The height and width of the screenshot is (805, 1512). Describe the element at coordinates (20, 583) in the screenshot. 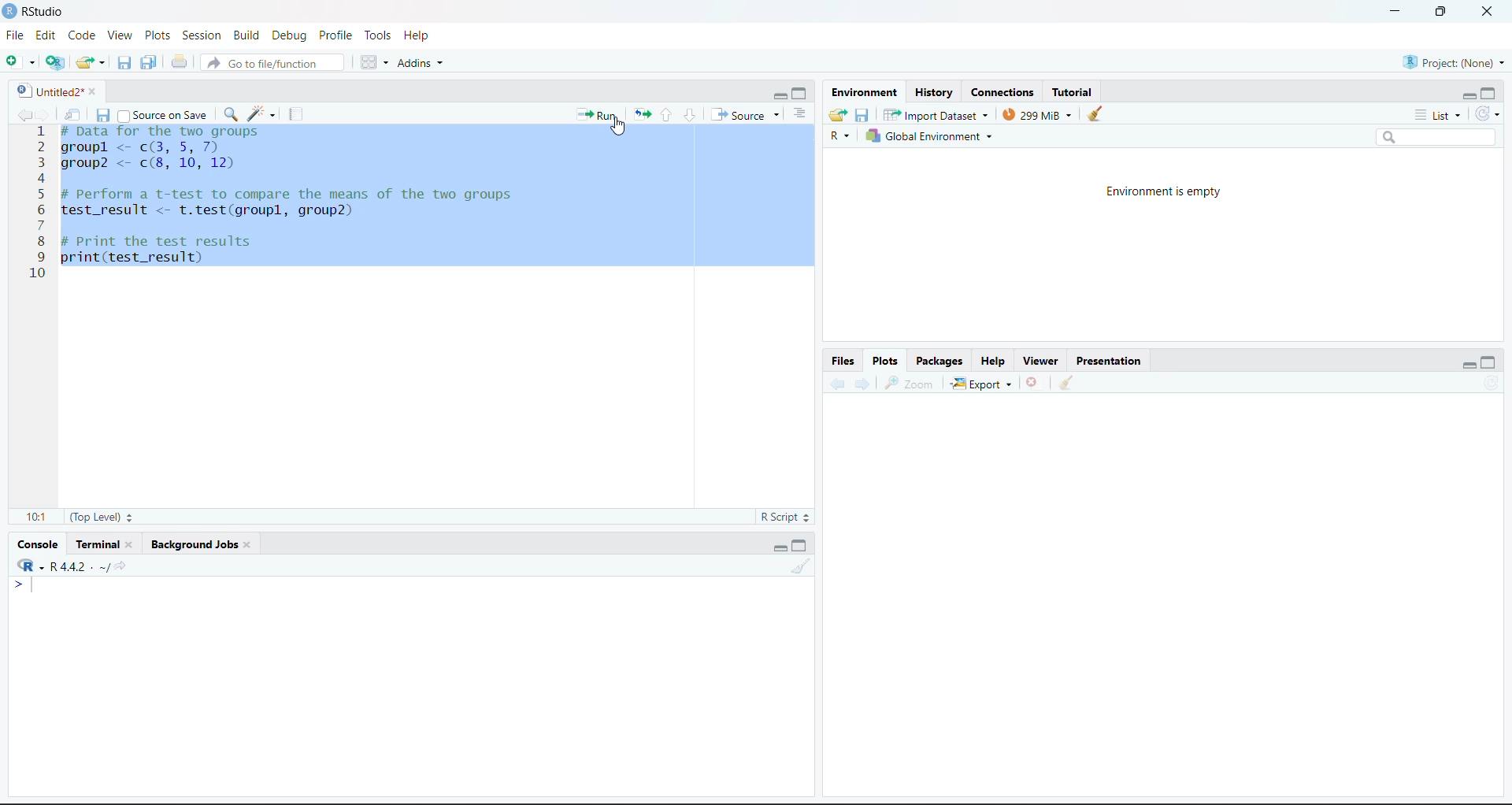

I see `>` at that location.